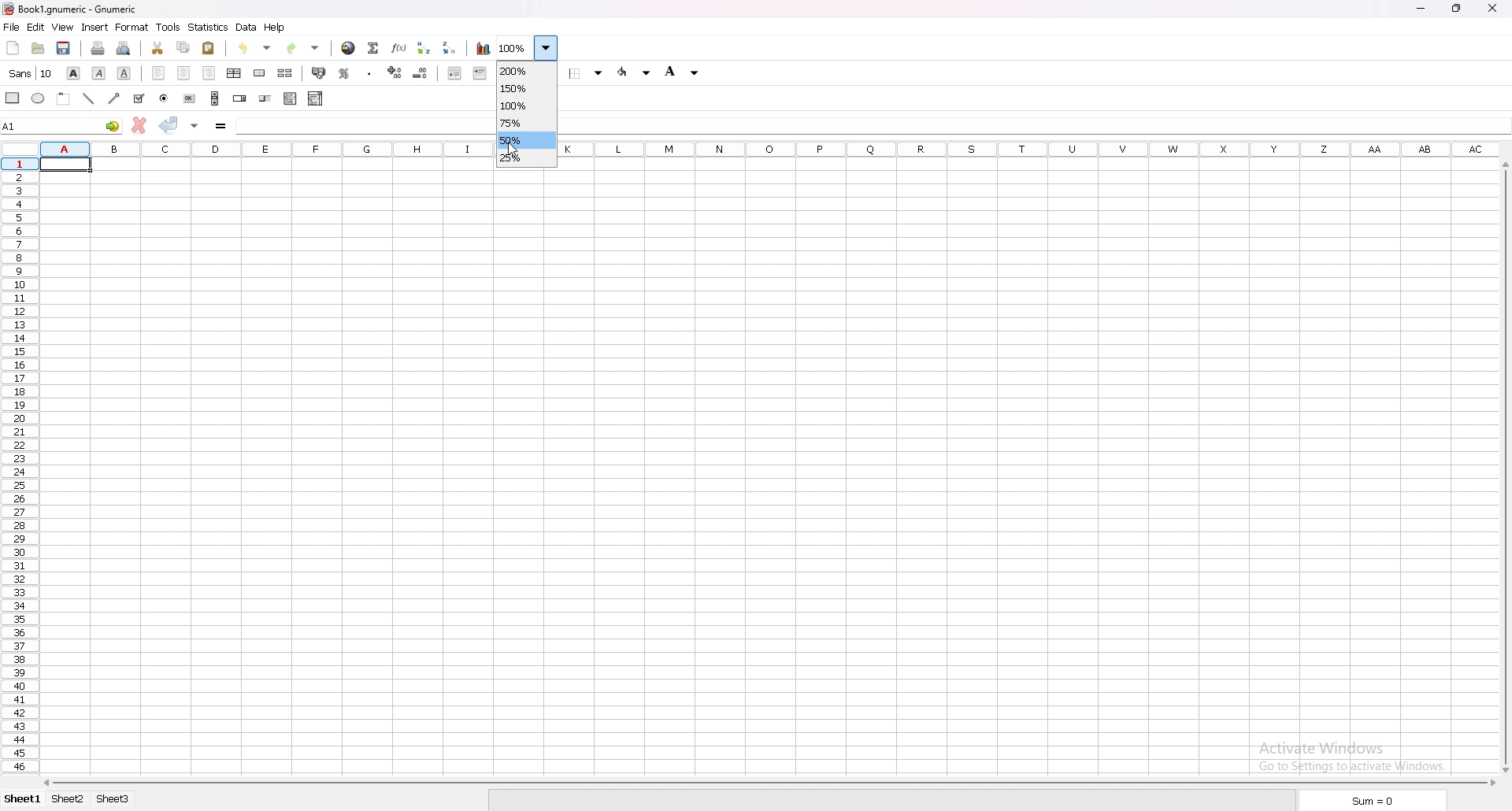 The height and width of the screenshot is (811, 1512). What do you see at coordinates (512, 48) in the screenshot?
I see `zoom 100%` at bounding box center [512, 48].